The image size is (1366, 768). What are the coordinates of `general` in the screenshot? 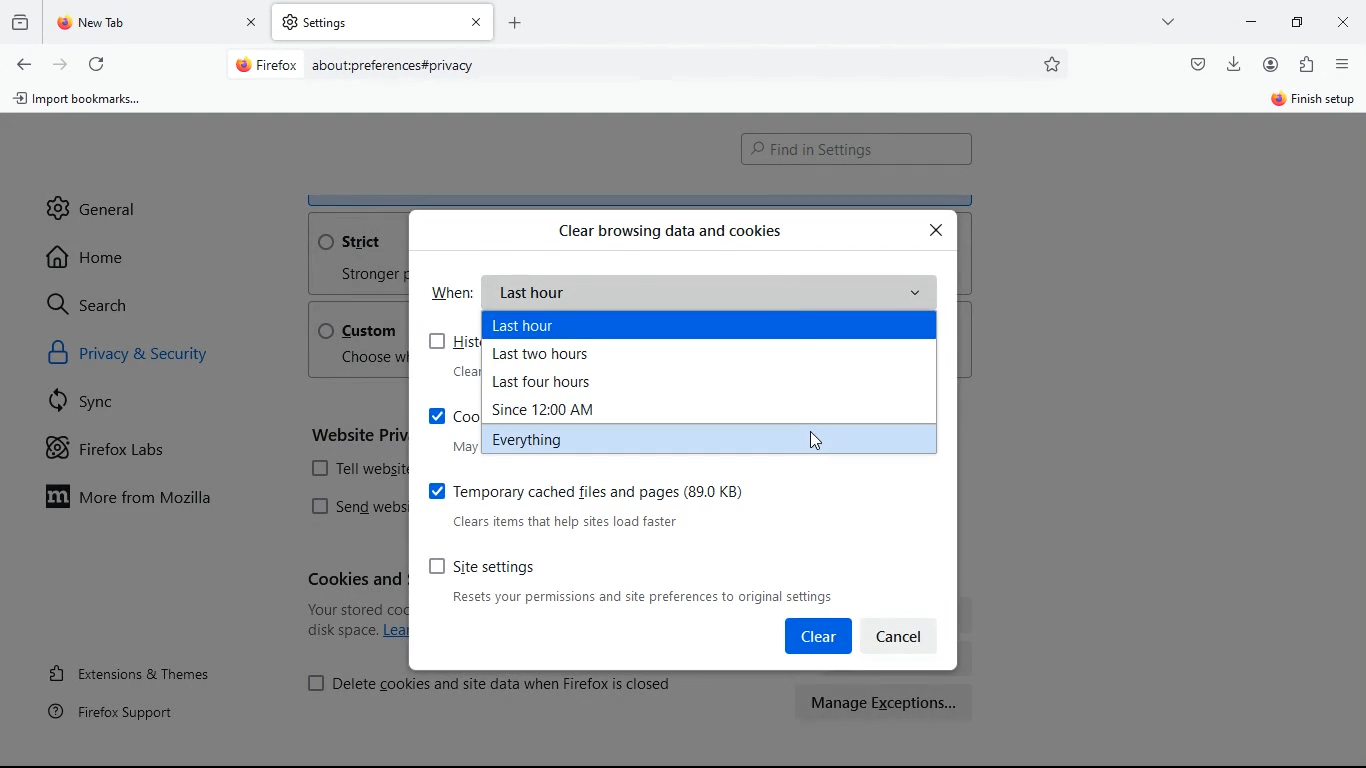 It's located at (93, 201).